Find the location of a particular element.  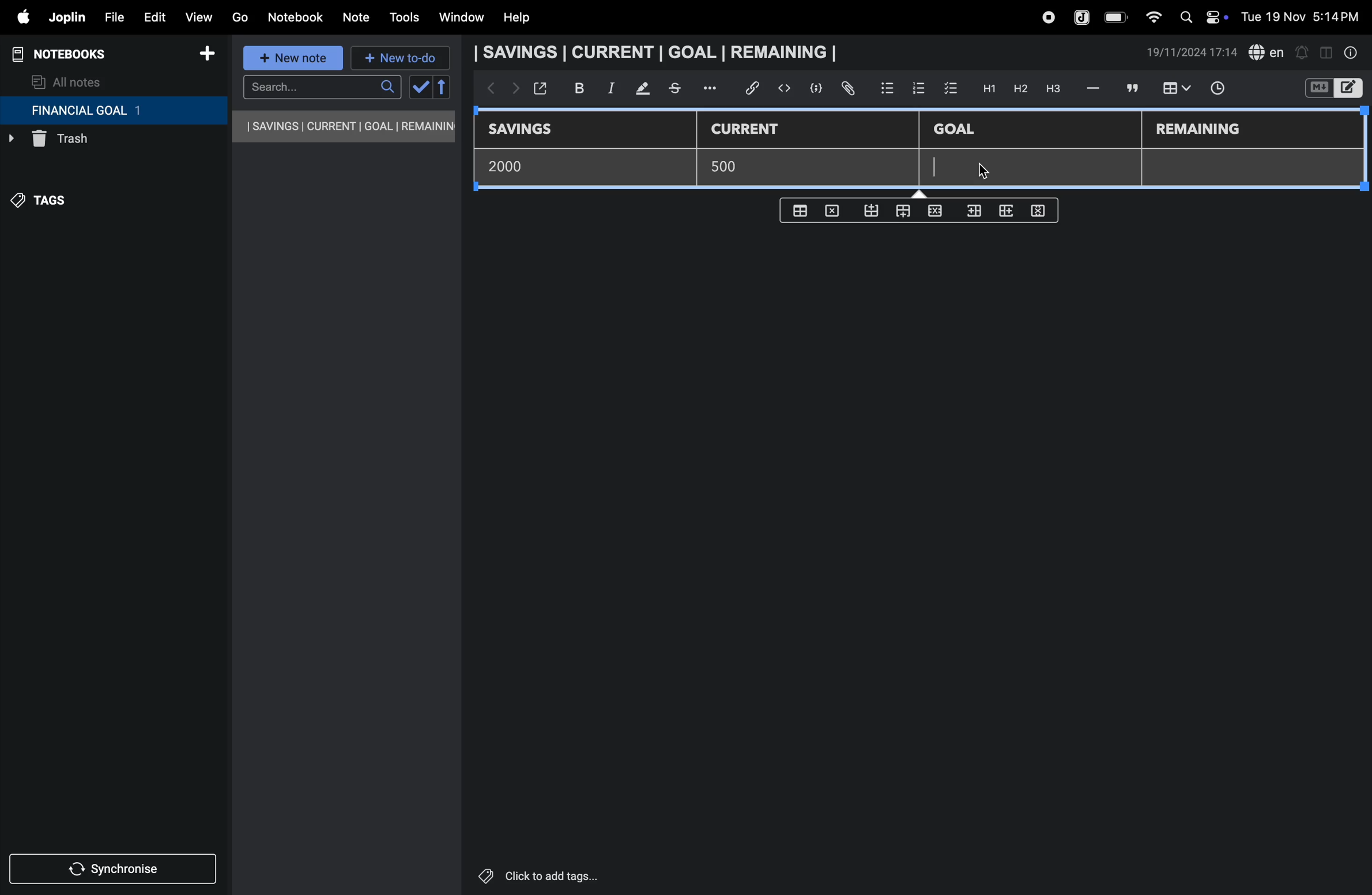

savings is located at coordinates (529, 130).